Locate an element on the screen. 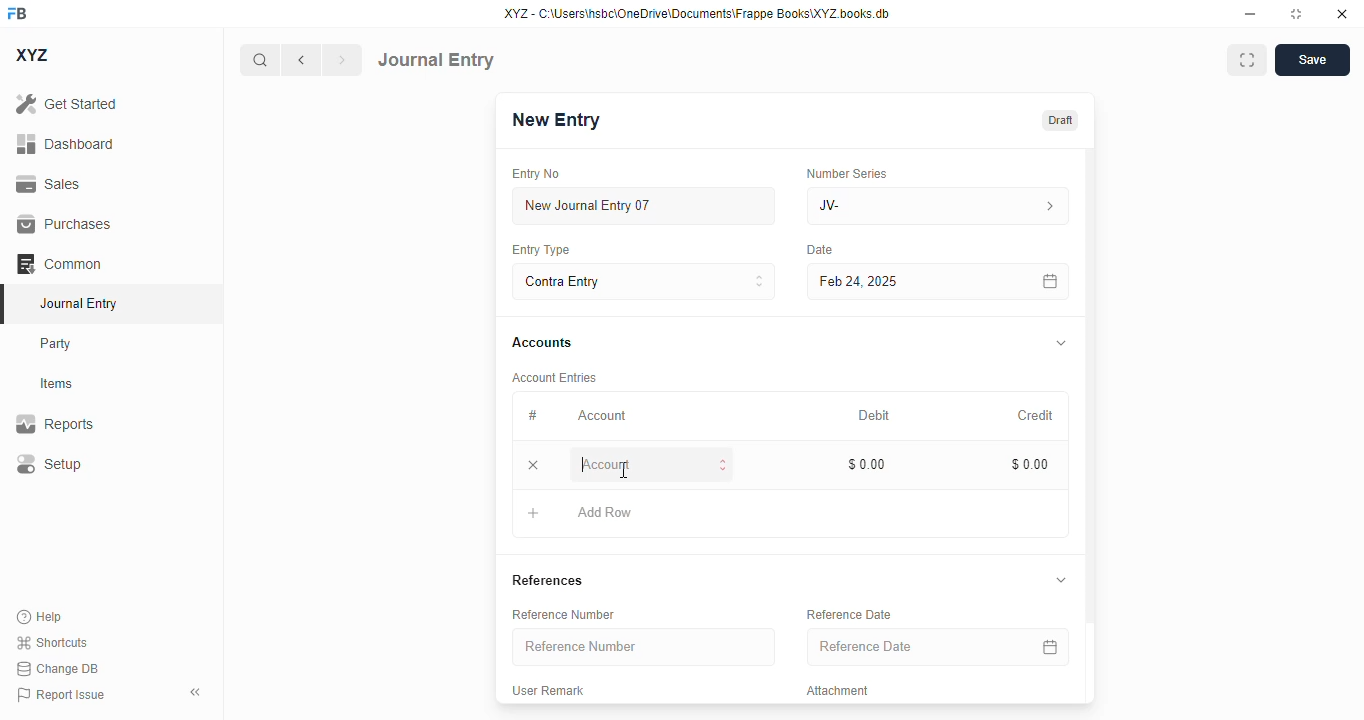 The width and height of the screenshot is (1364, 720). account is located at coordinates (602, 416).